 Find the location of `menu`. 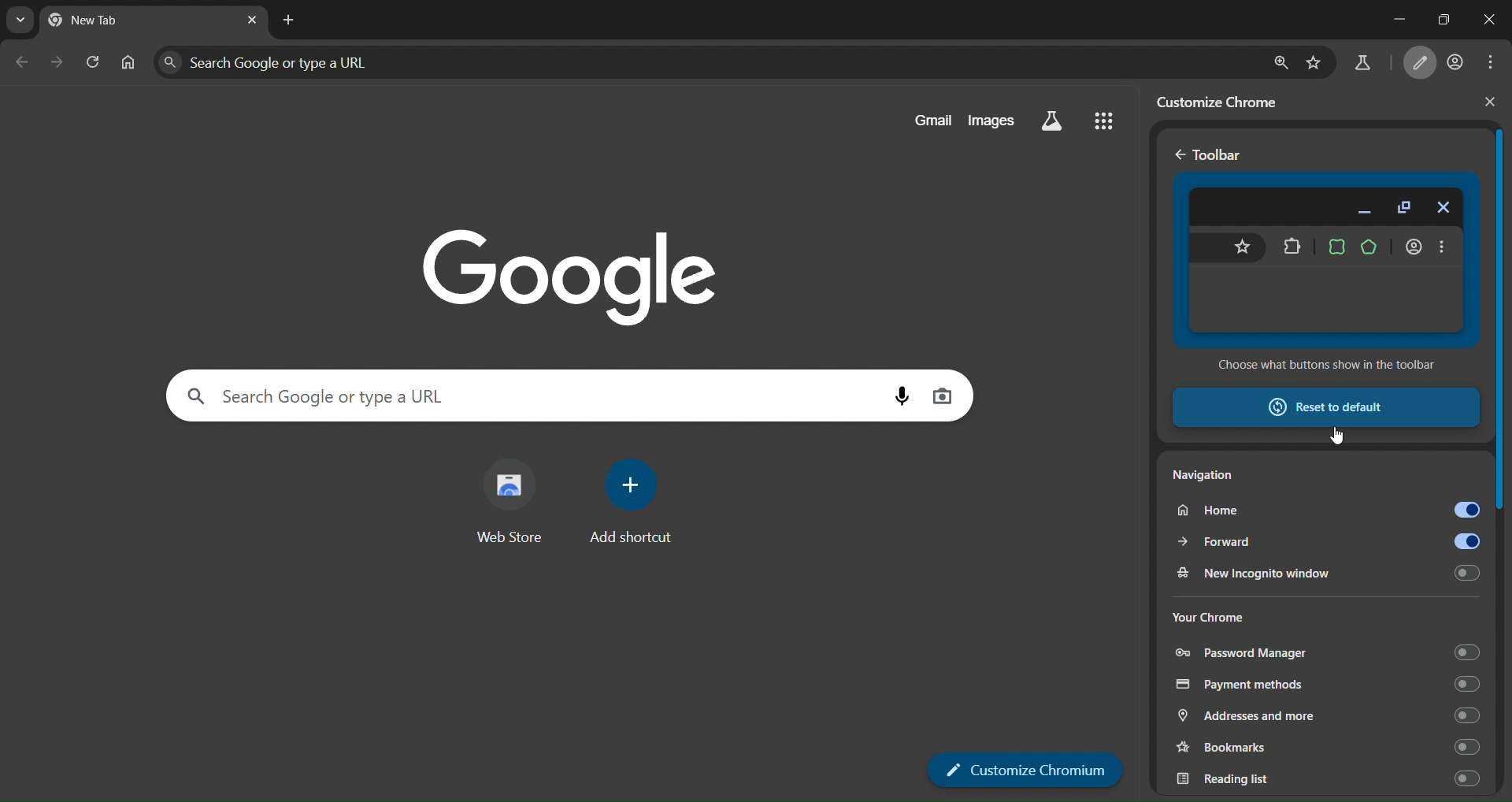

menu is located at coordinates (1489, 65).